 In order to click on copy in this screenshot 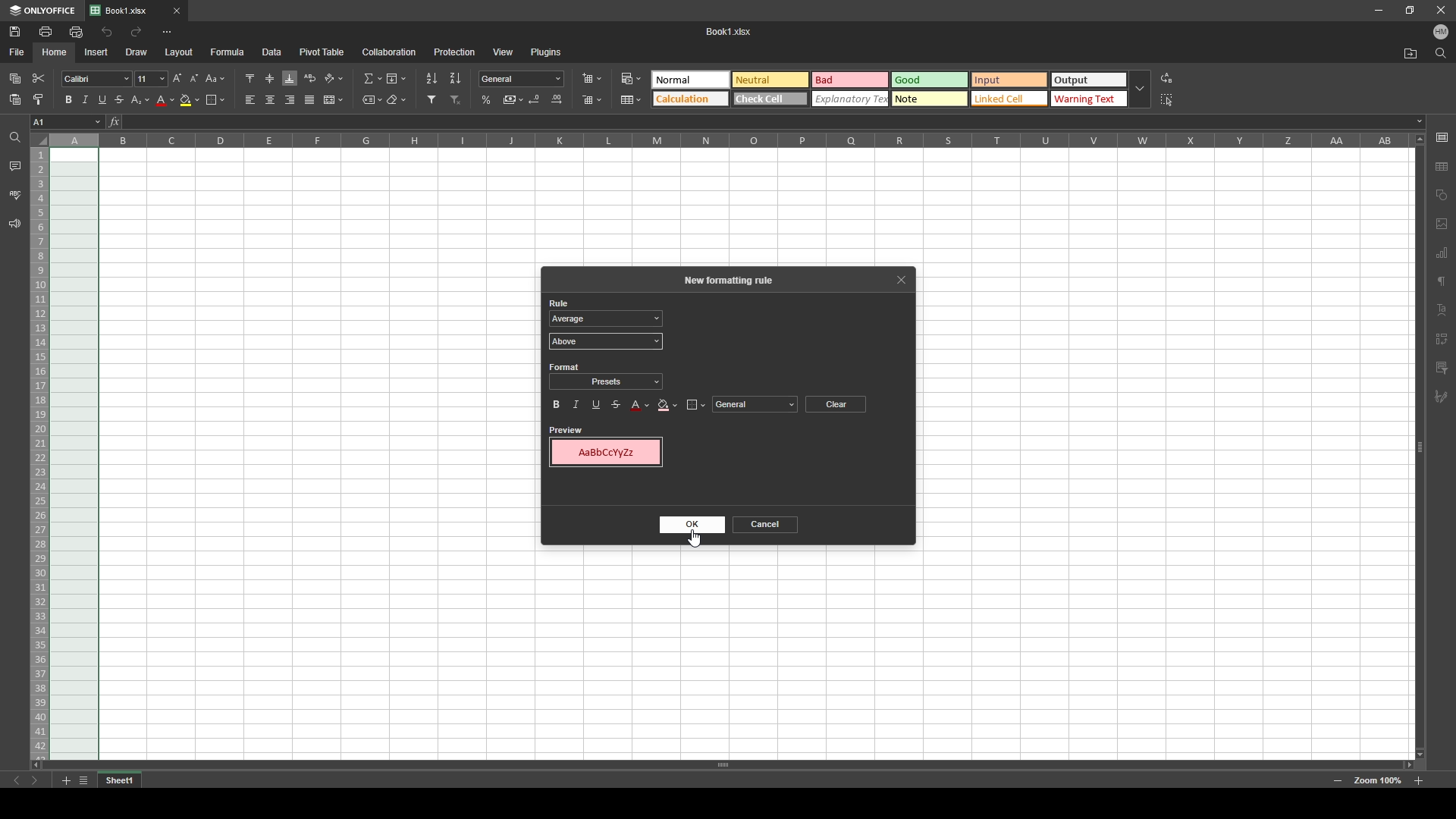, I will do `click(15, 78)`.